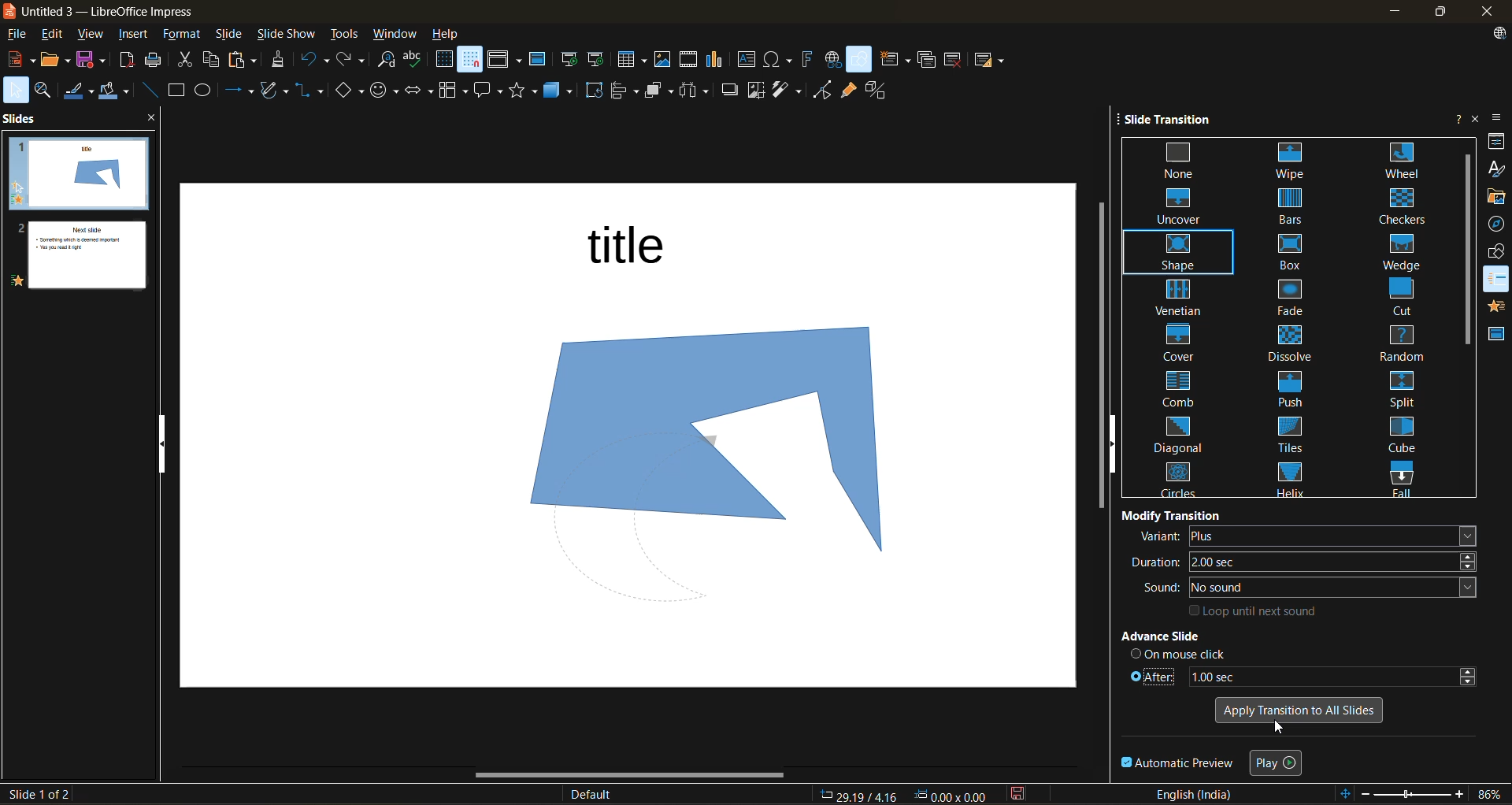  What do you see at coordinates (1277, 729) in the screenshot?
I see `cursor` at bounding box center [1277, 729].